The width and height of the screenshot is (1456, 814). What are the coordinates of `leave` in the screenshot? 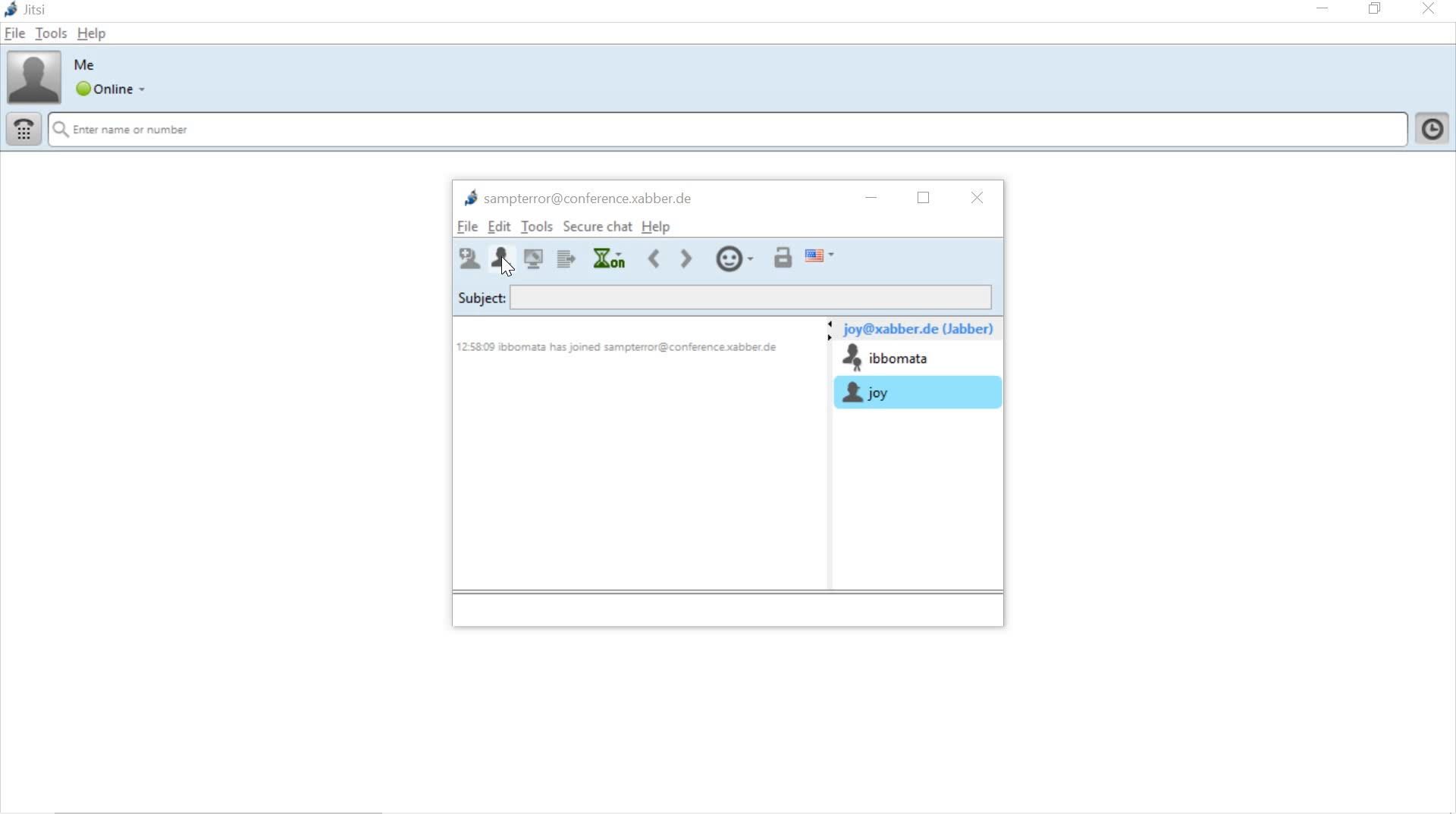 It's located at (500, 257).